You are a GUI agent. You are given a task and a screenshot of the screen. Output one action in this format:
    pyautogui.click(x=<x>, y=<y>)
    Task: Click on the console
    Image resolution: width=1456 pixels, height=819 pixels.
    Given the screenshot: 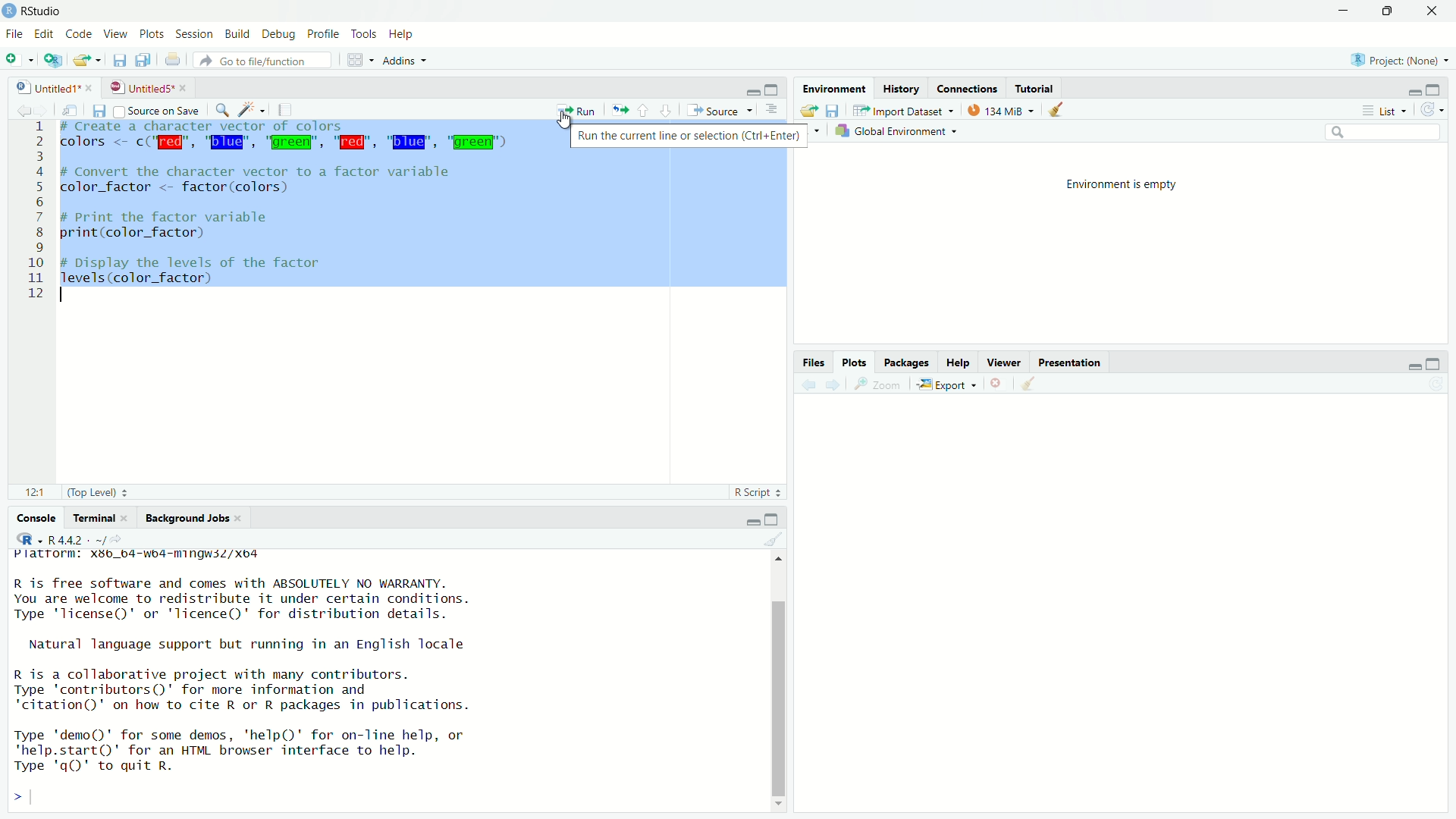 What is the action you would take?
    pyautogui.click(x=31, y=517)
    